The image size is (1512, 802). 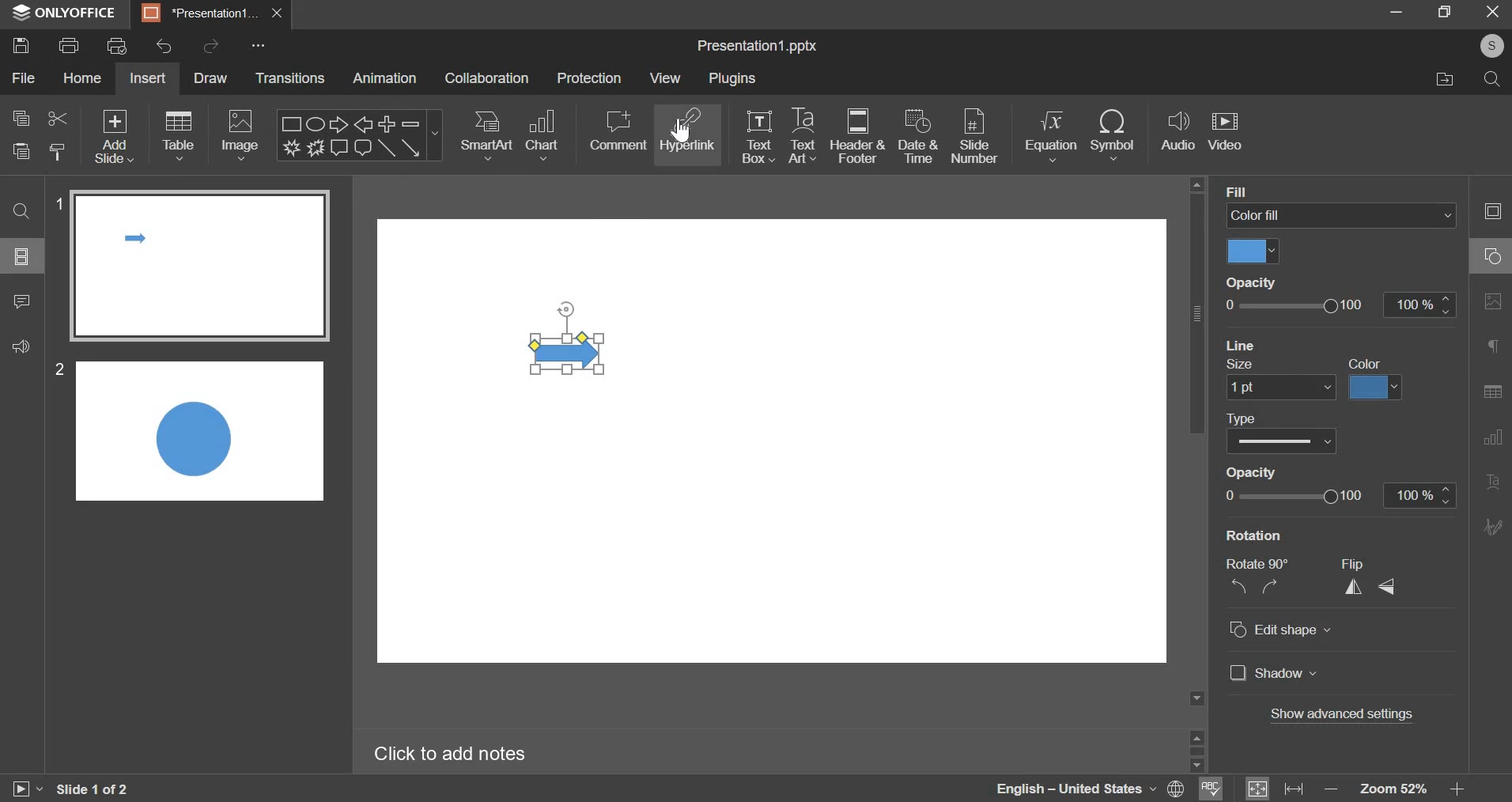 I want to click on slide, so click(x=22, y=255).